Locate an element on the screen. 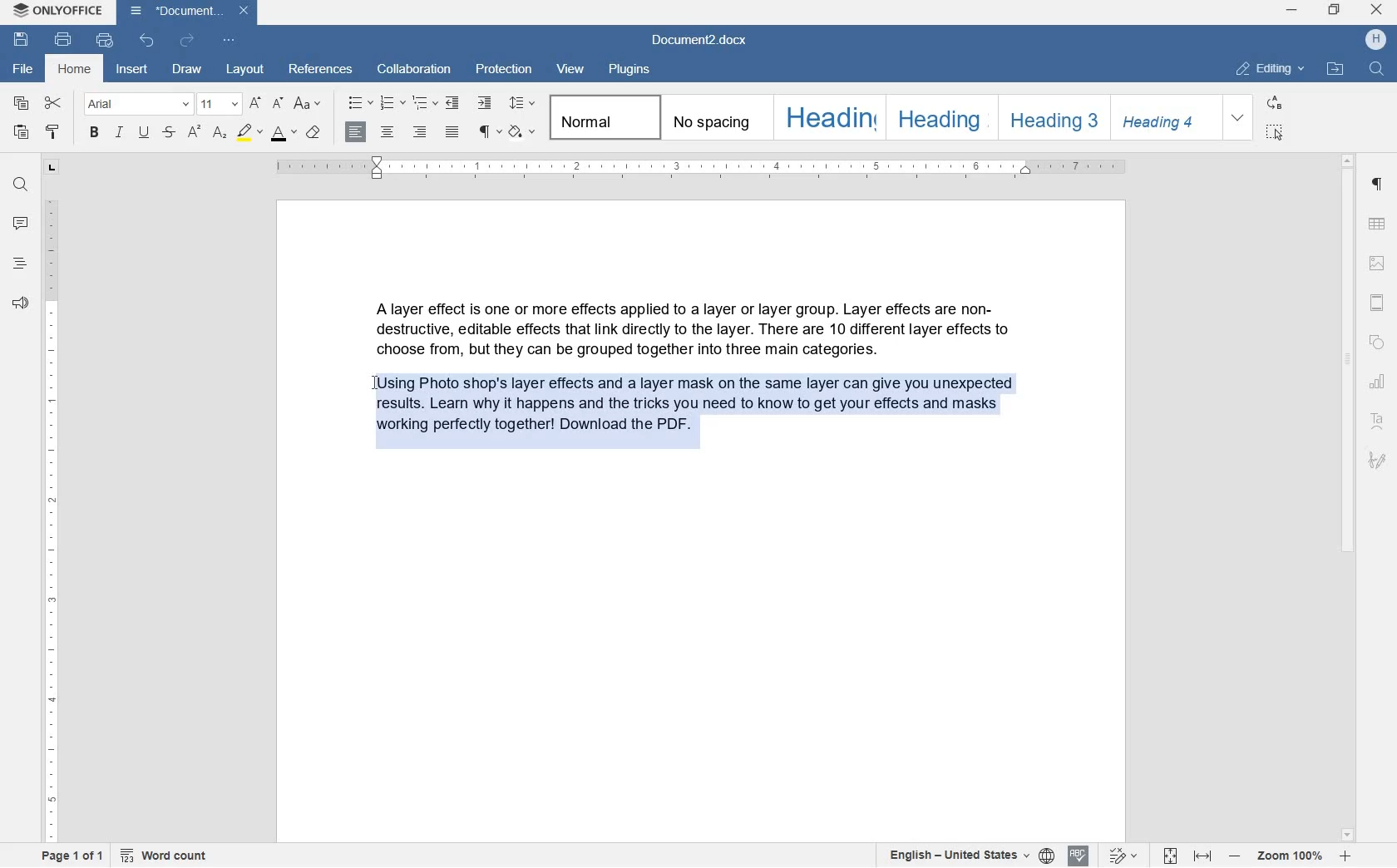 Image resolution: width=1397 pixels, height=868 pixels. HP is located at coordinates (1375, 42).